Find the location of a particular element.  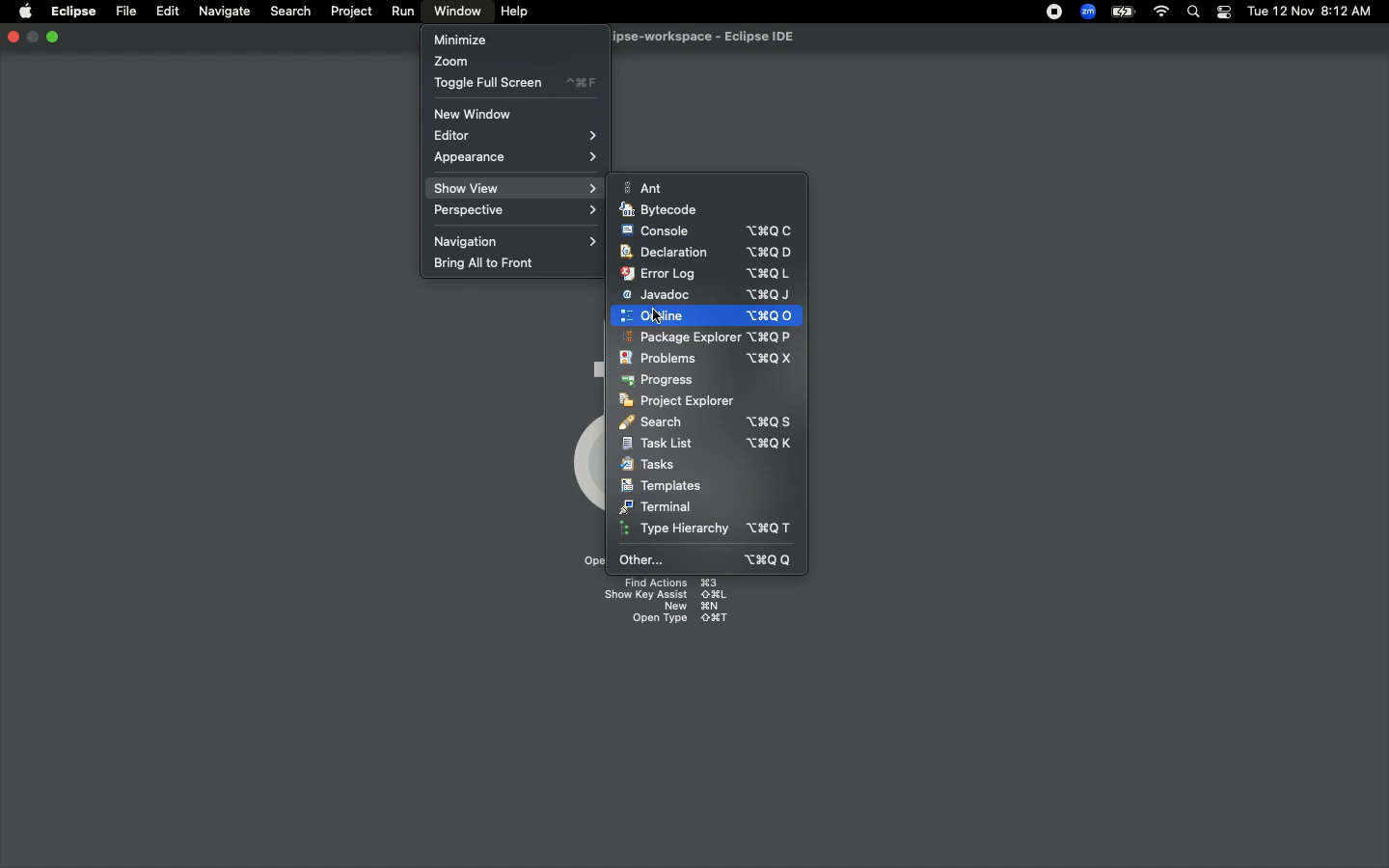

Problems is located at coordinates (710, 358).